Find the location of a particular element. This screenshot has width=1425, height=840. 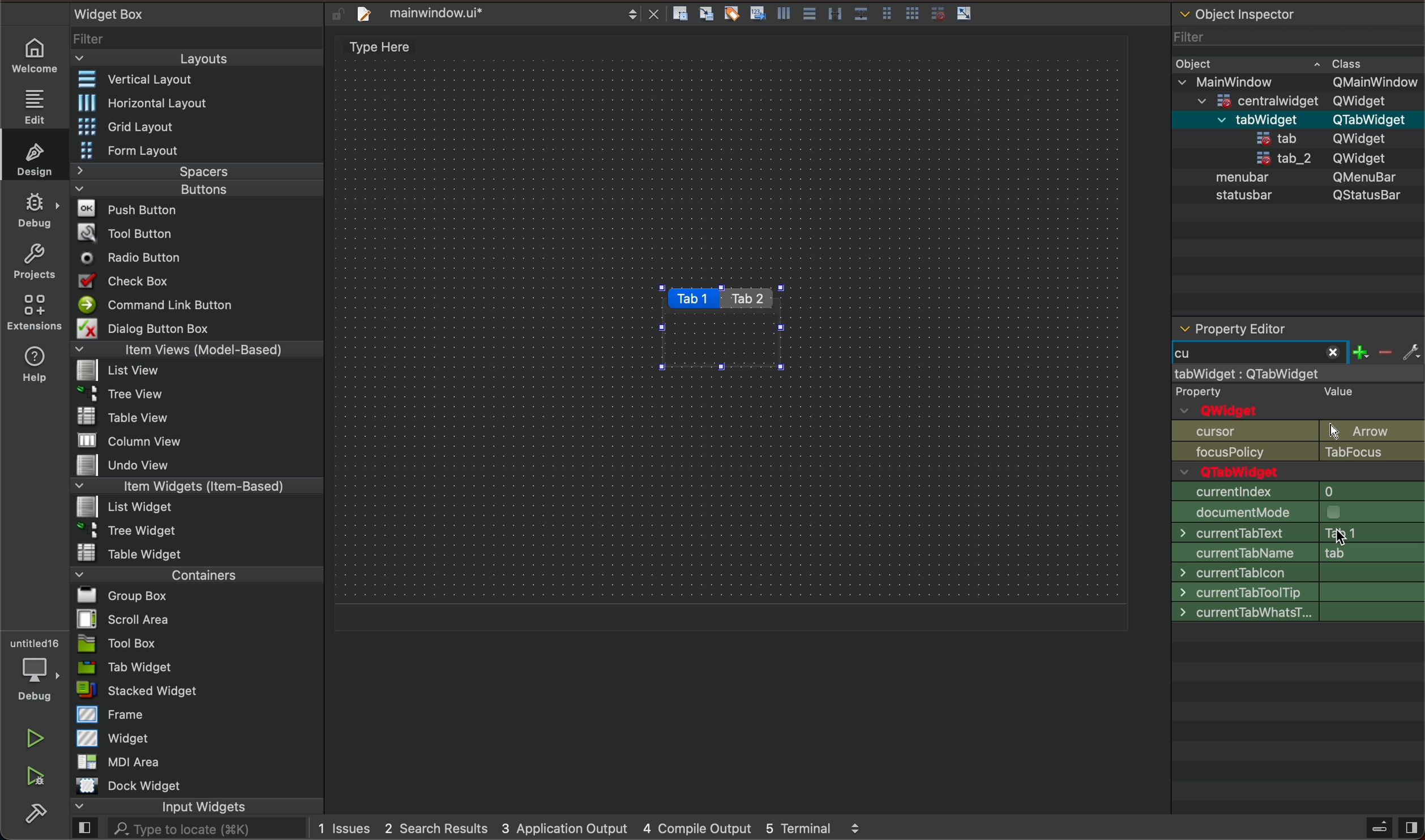

=centralwidaet OWidaet is located at coordinates (1294, 98).